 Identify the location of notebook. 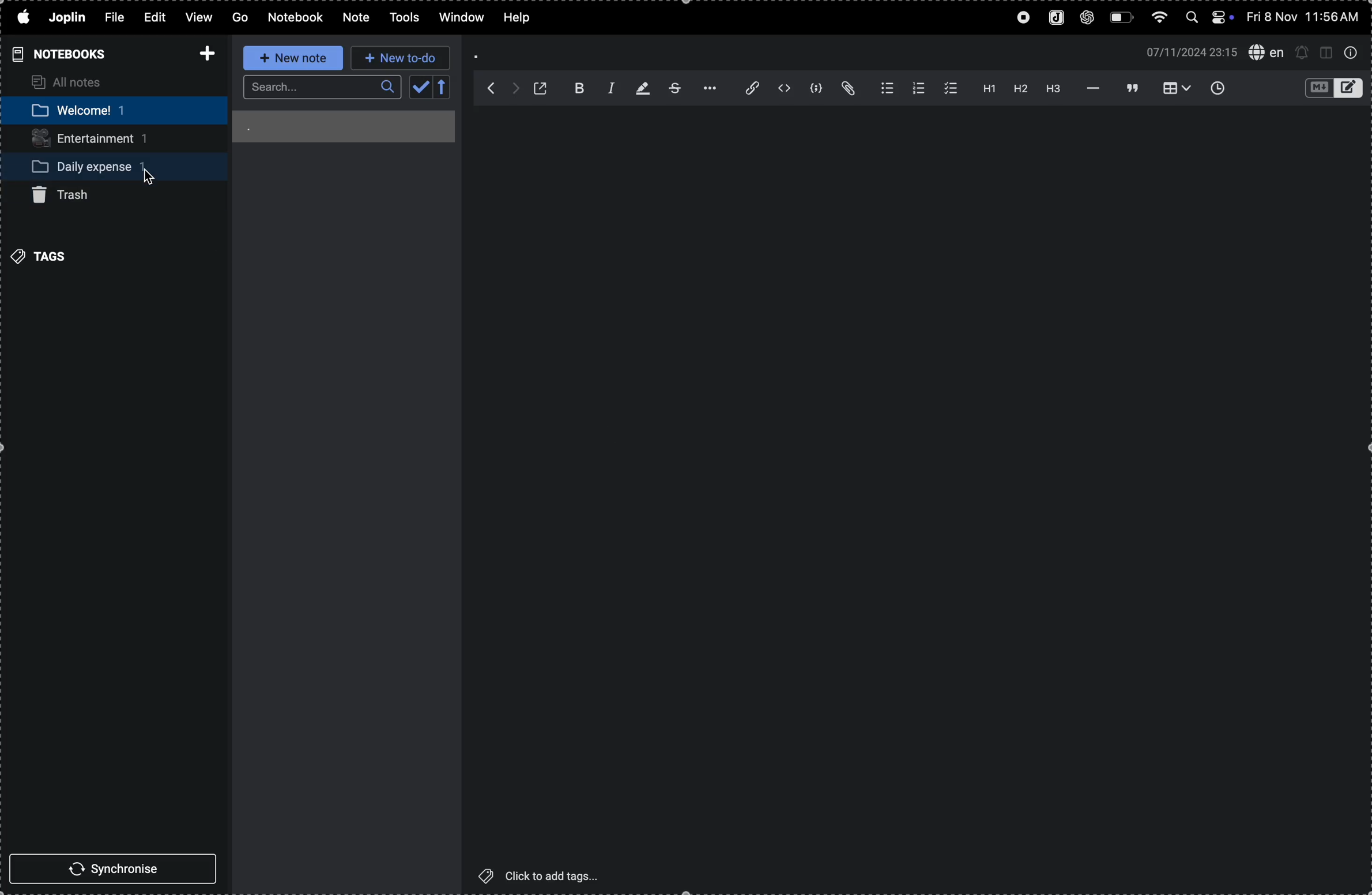
(296, 17).